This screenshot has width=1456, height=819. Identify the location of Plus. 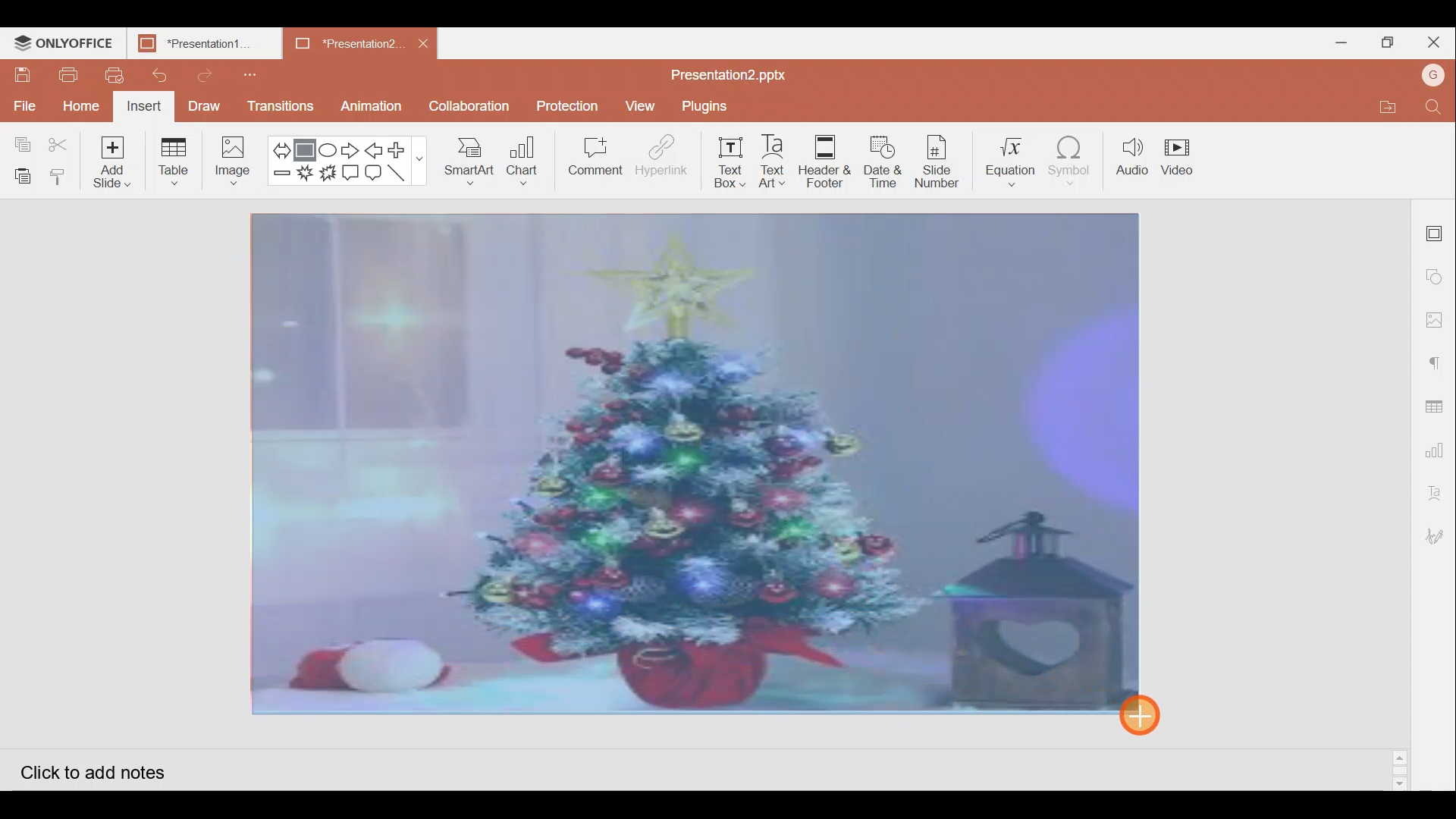
(402, 150).